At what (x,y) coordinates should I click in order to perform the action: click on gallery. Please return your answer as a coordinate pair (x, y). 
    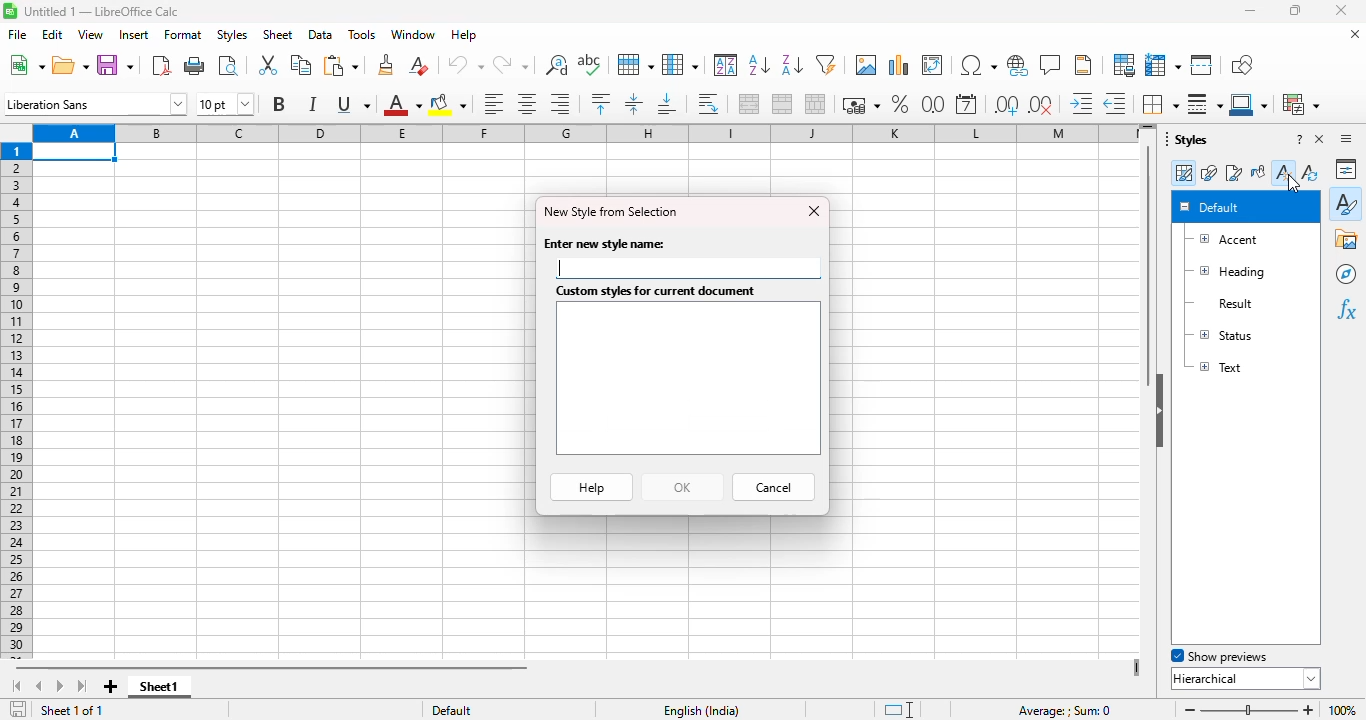
    Looking at the image, I should click on (1347, 239).